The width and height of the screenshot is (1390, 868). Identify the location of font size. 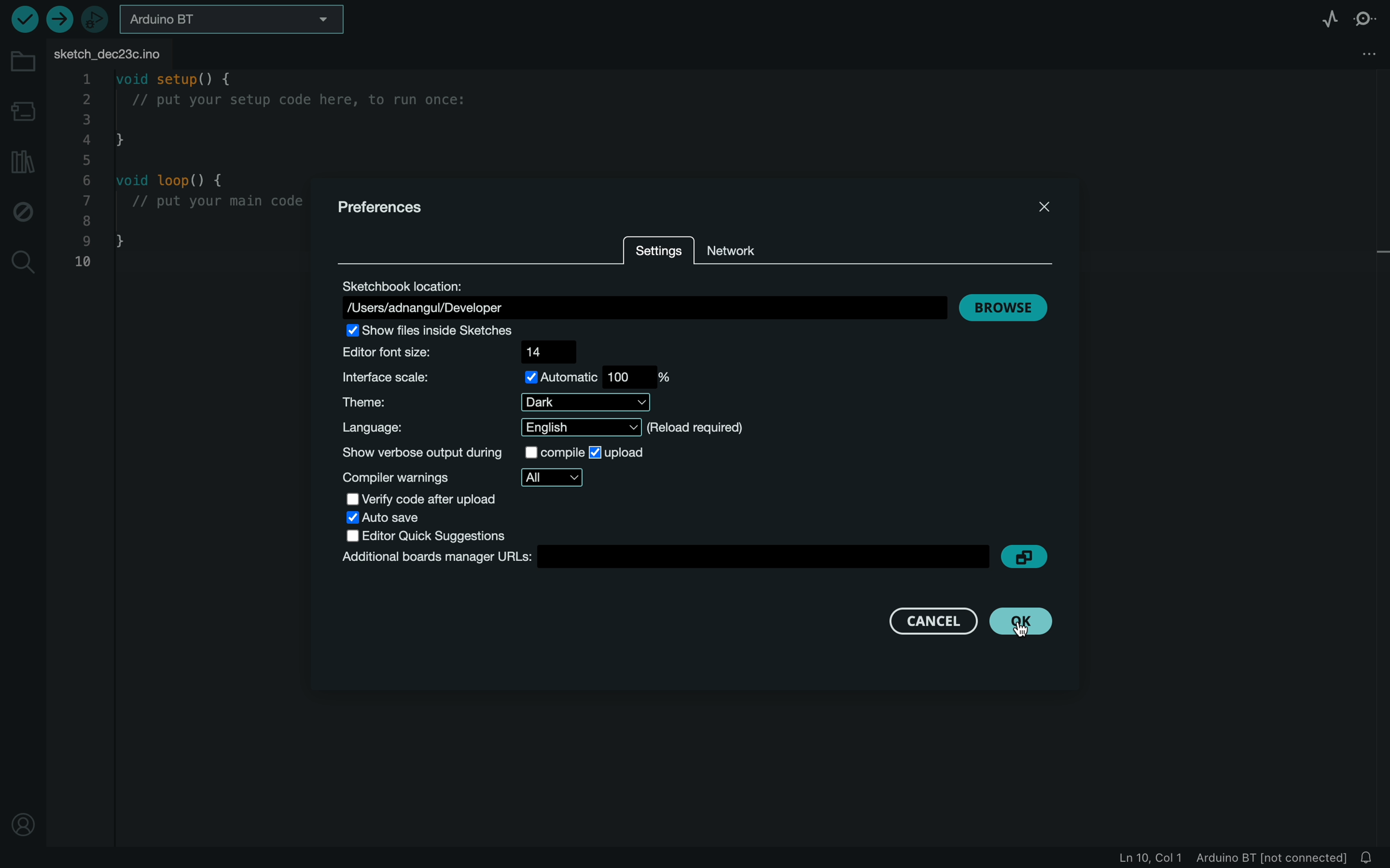
(466, 351).